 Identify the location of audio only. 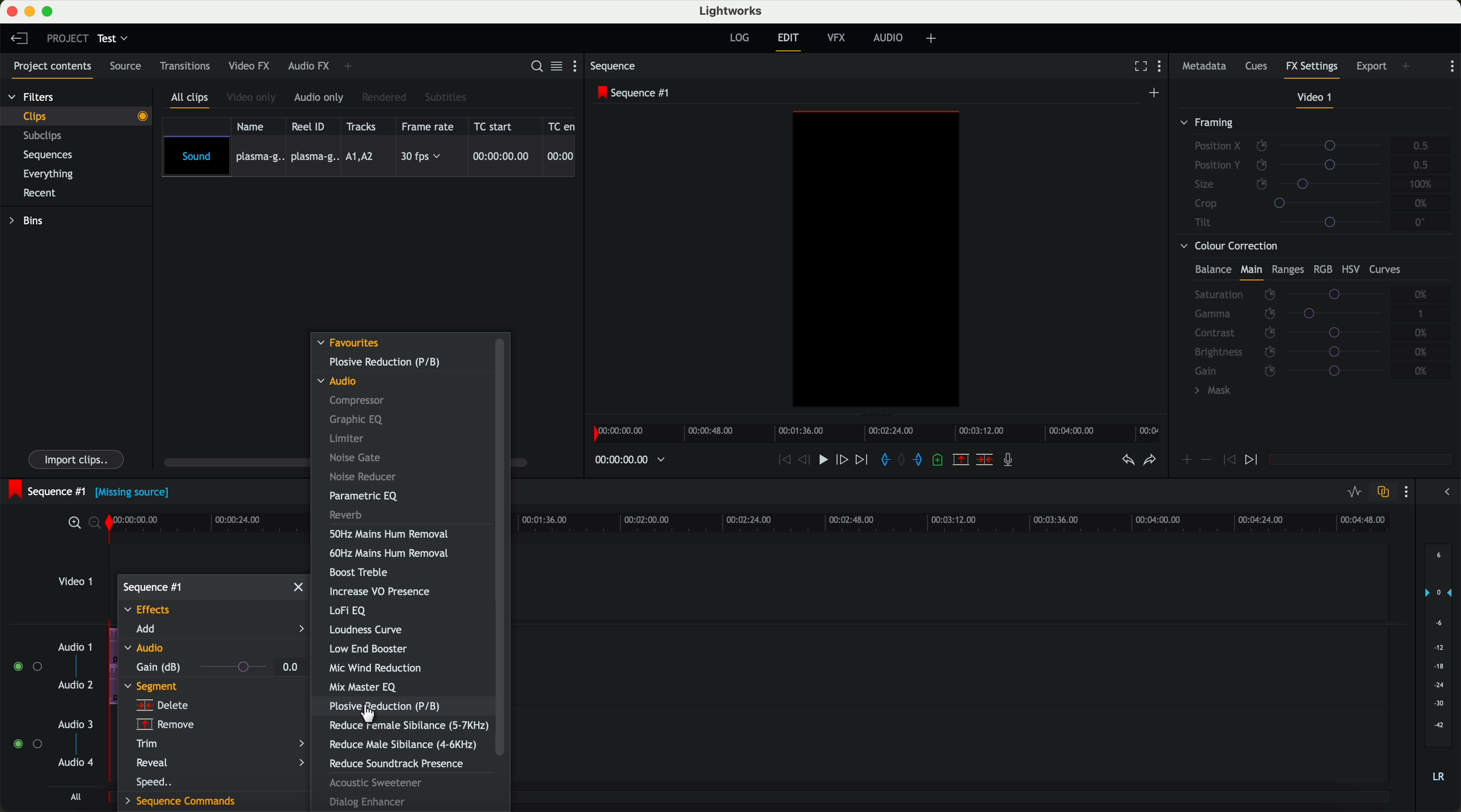
(320, 98).